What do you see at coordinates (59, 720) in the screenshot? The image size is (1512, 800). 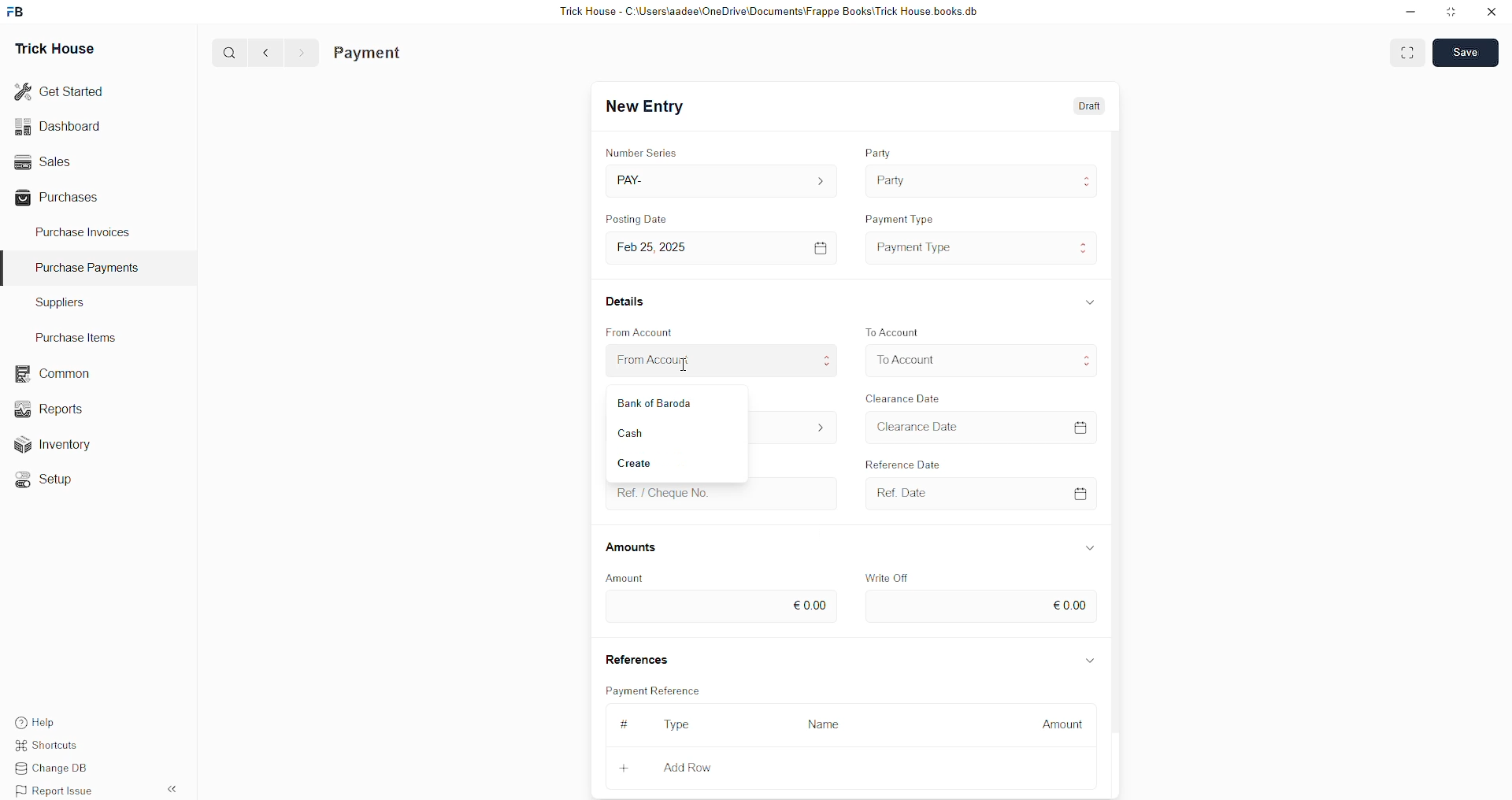 I see ` Help` at bounding box center [59, 720].